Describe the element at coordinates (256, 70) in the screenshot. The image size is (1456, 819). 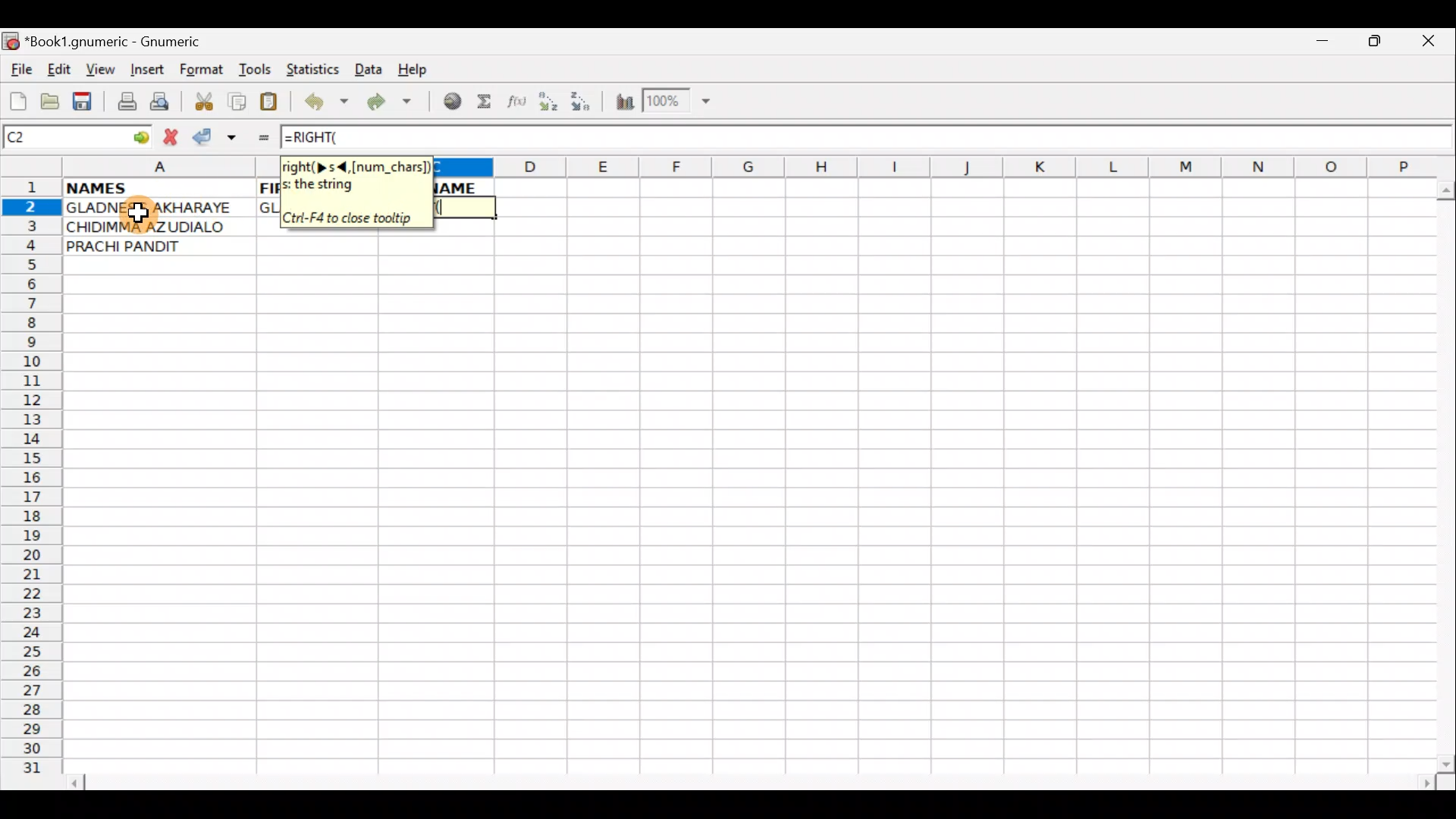
I see `Tools` at that location.